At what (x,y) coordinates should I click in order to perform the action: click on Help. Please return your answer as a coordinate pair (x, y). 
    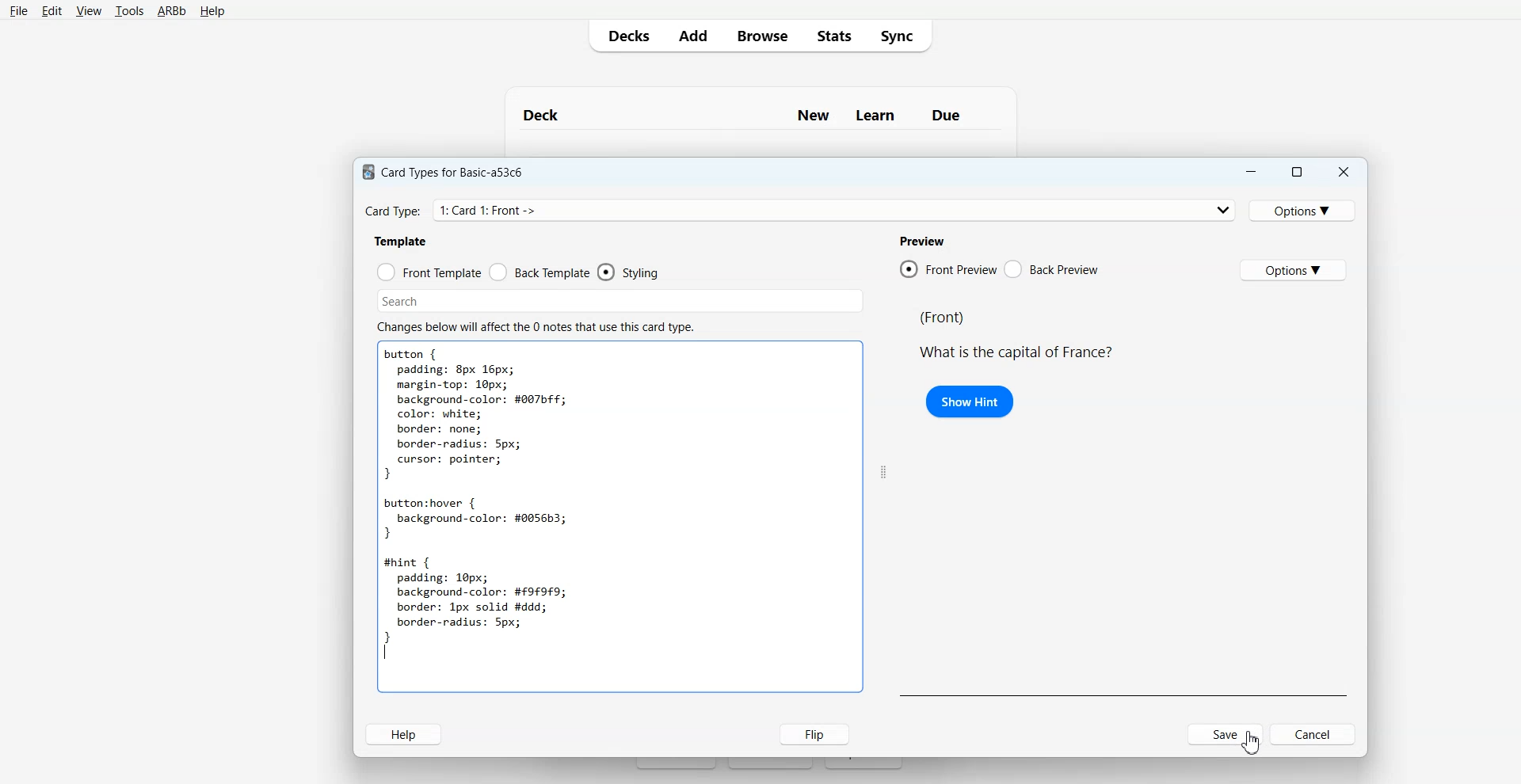
    Looking at the image, I should click on (403, 734).